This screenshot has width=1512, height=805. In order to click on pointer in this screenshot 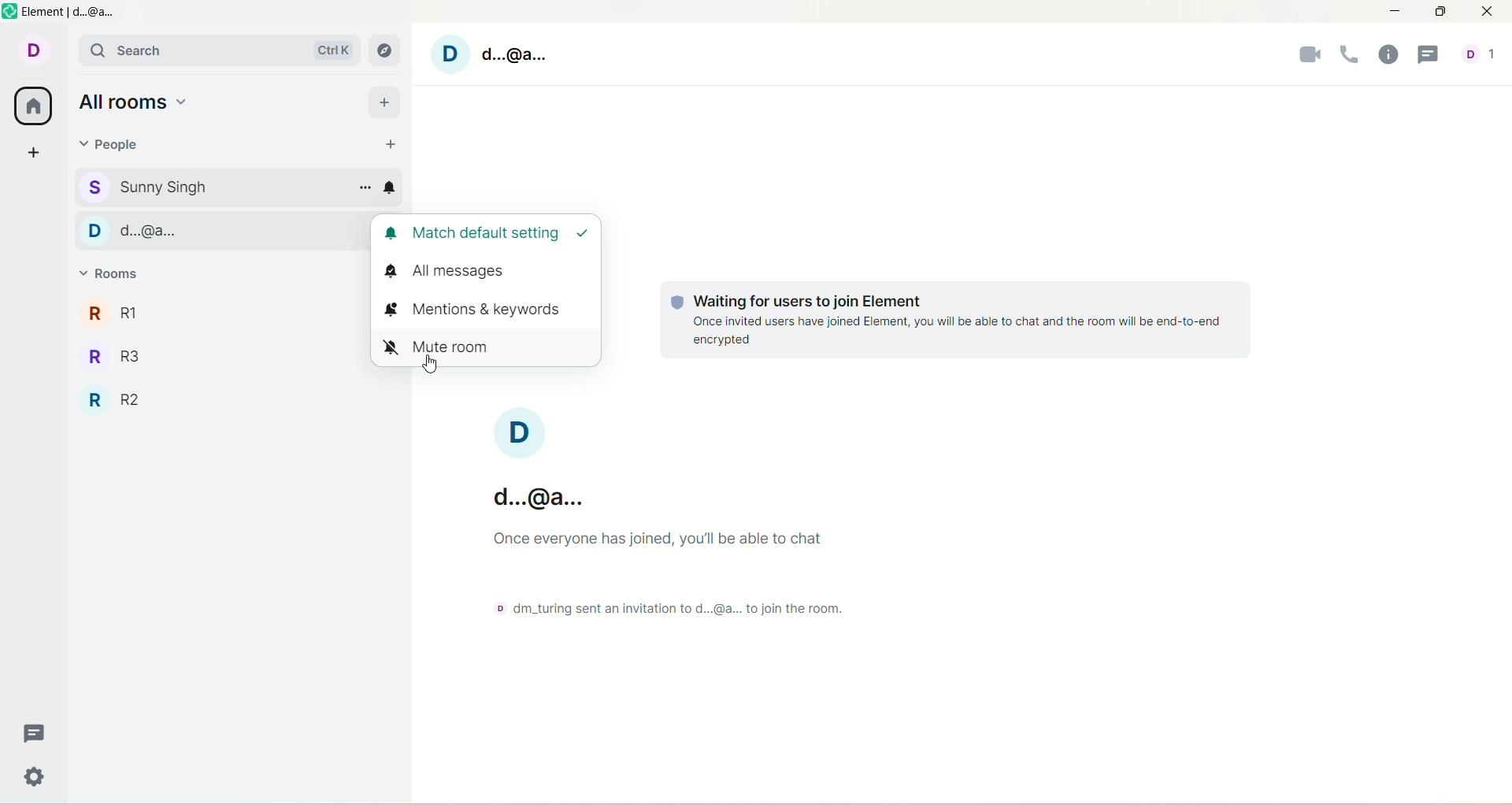, I will do `click(430, 367)`.